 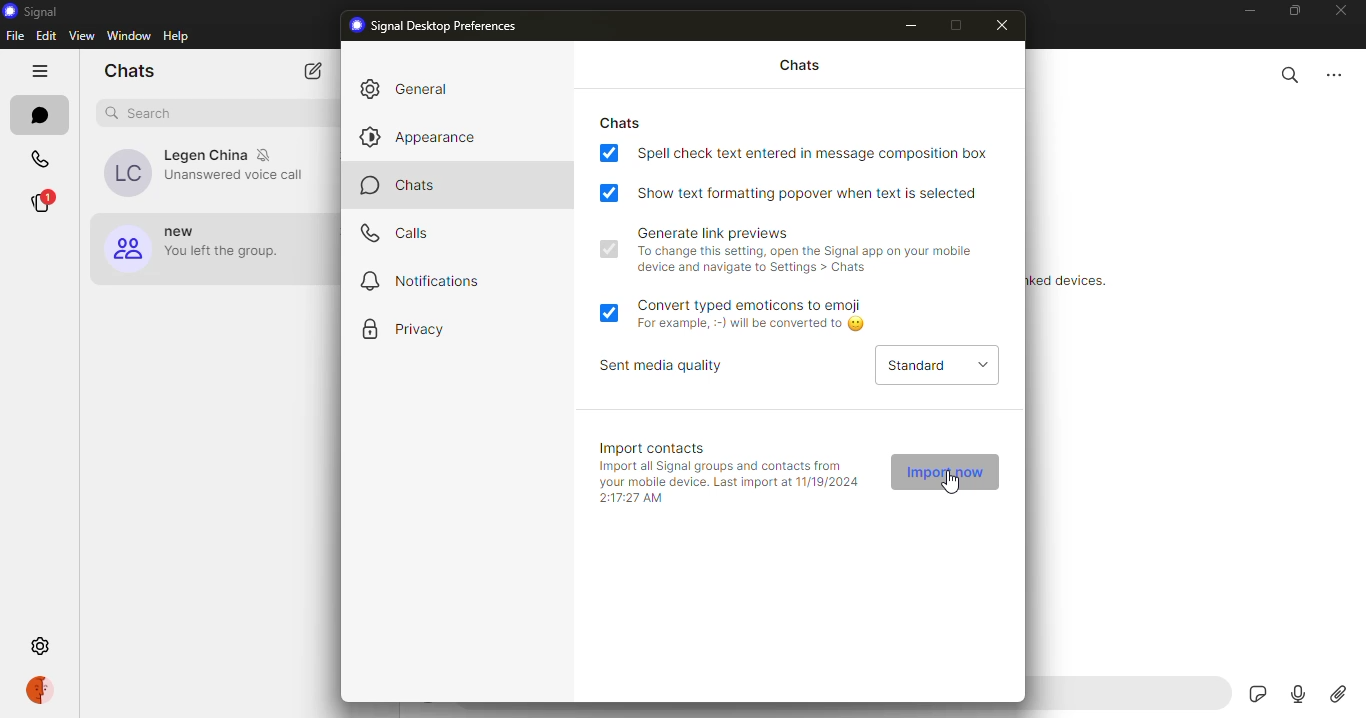 I want to click on spell check, so click(x=822, y=153).